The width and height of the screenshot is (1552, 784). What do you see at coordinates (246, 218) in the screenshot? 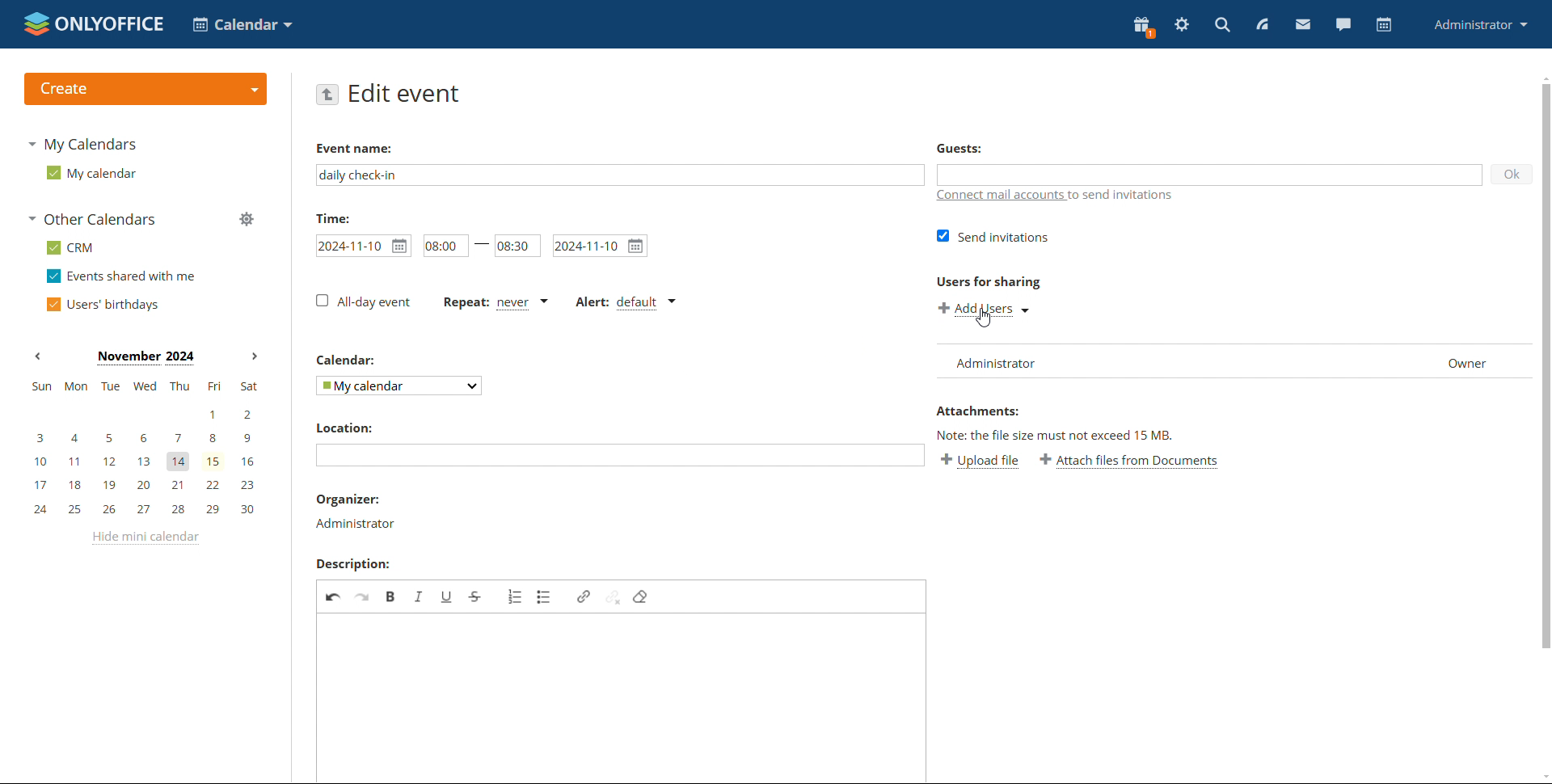
I see `manage` at bounding box center [246, 218].